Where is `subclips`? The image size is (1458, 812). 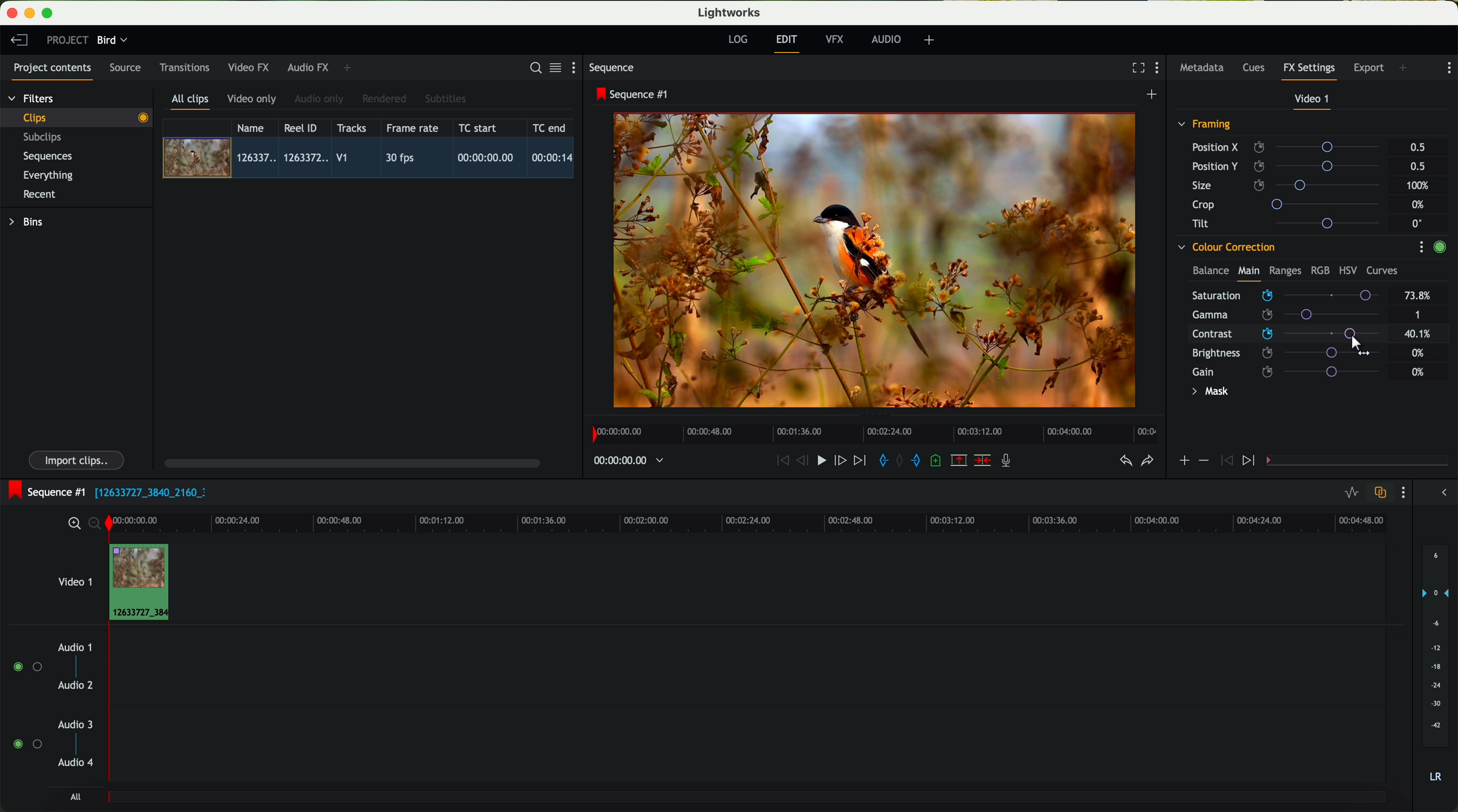 subclips is located at coordinates (45, 138).